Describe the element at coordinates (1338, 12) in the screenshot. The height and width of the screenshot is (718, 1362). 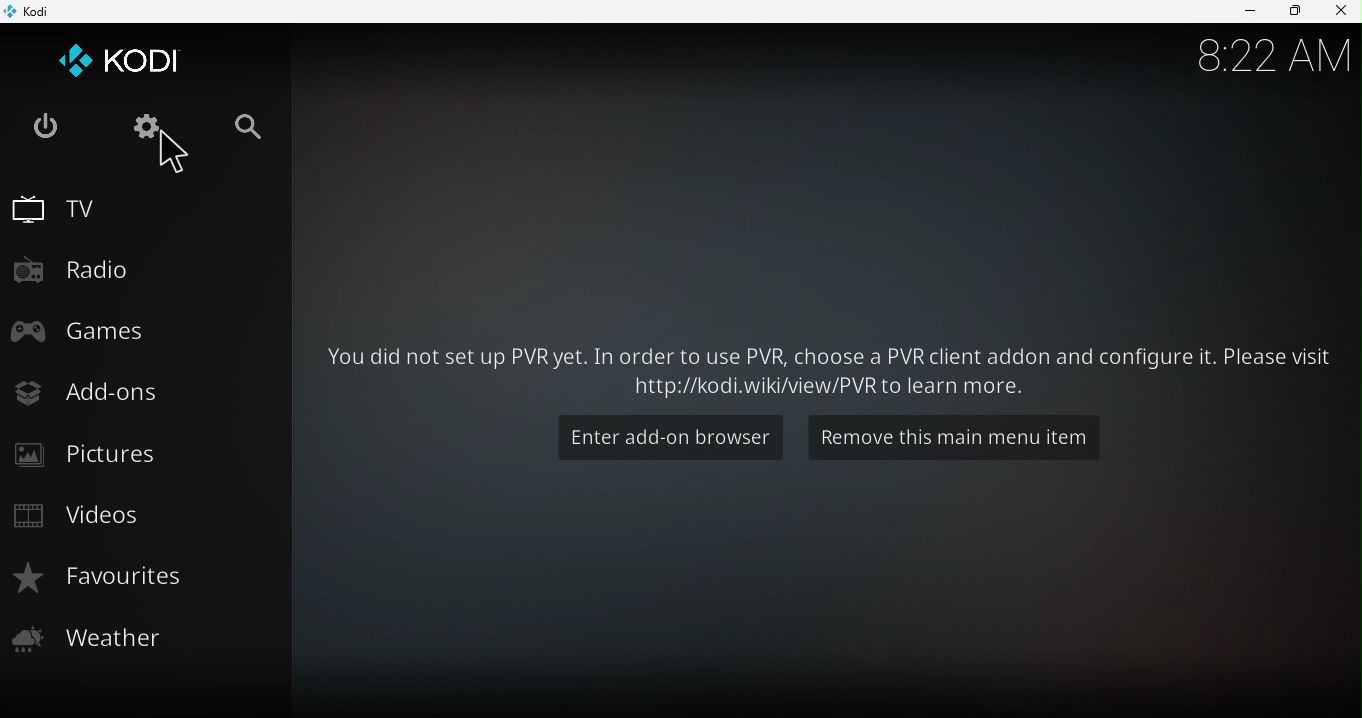
I see `Close` at that location.